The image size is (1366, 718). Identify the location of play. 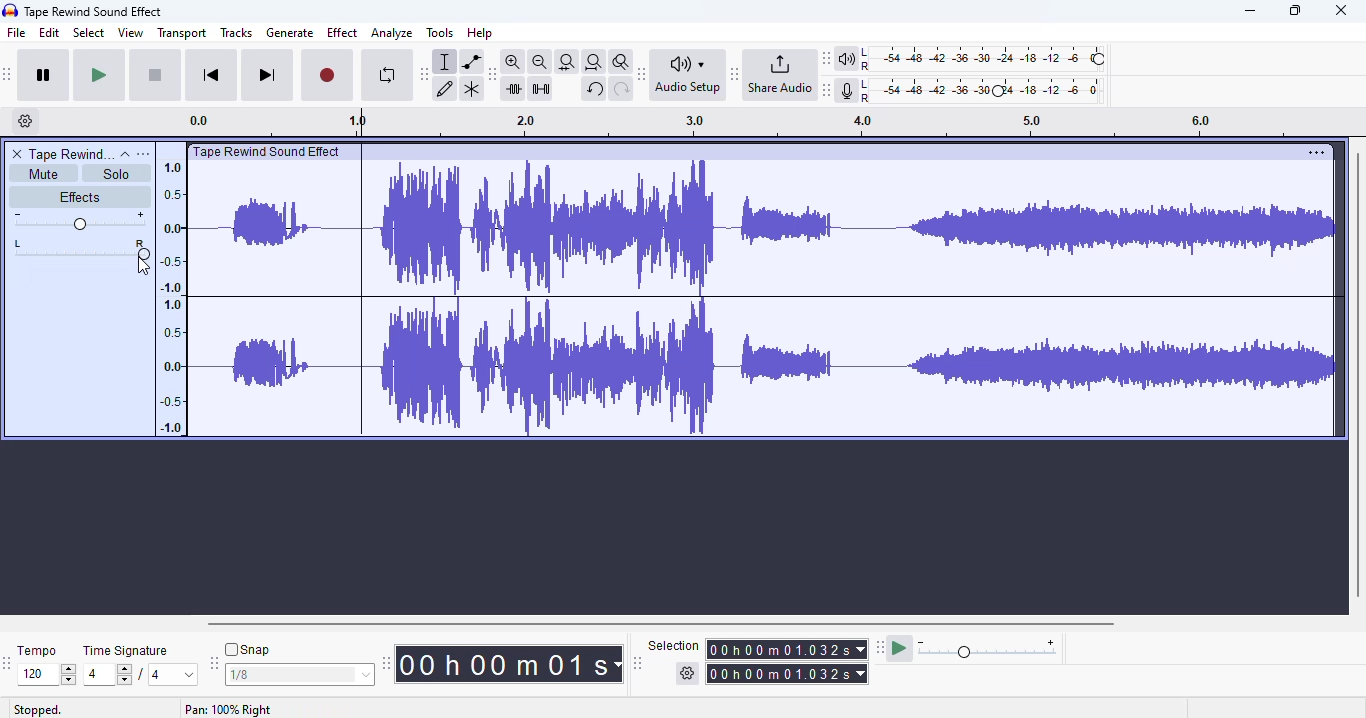
(99, 76).